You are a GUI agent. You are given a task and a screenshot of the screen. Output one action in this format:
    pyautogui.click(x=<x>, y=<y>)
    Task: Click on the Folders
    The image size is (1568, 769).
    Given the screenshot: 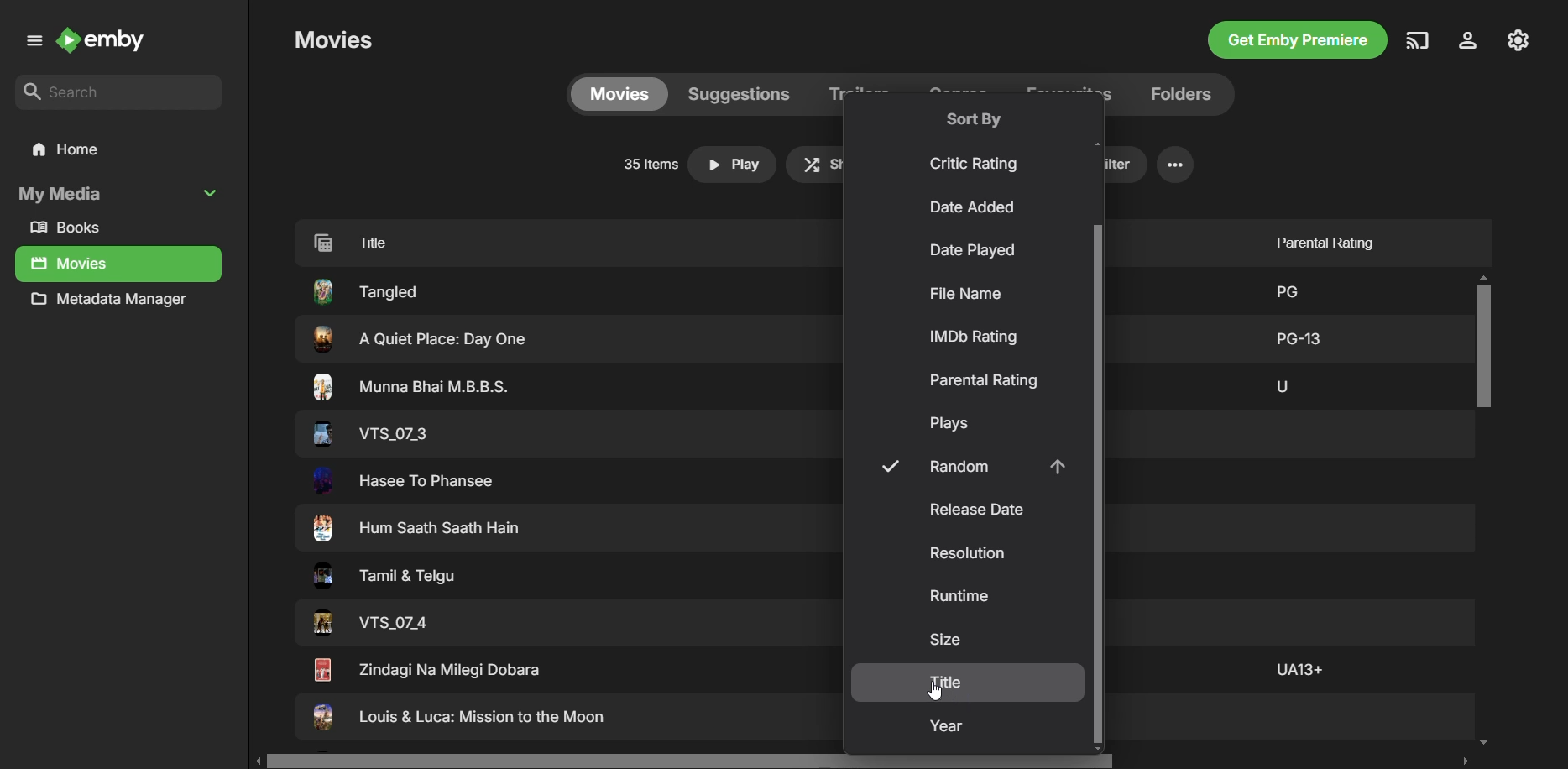 What is the action you would take?
    pyautogui.click(x=1177, y=94)
    